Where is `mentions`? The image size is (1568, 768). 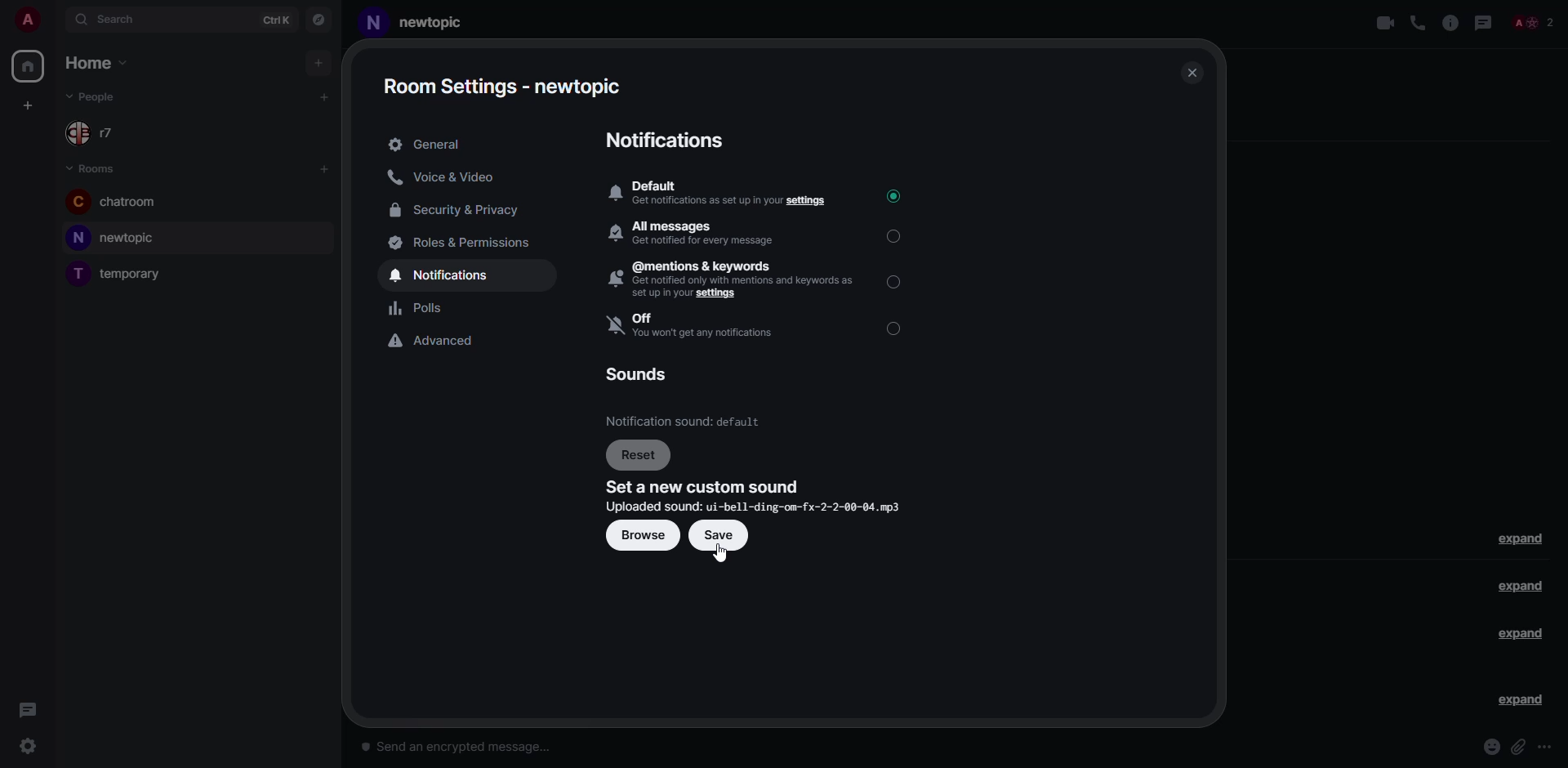
mentions is located at coordinates (733, 279).